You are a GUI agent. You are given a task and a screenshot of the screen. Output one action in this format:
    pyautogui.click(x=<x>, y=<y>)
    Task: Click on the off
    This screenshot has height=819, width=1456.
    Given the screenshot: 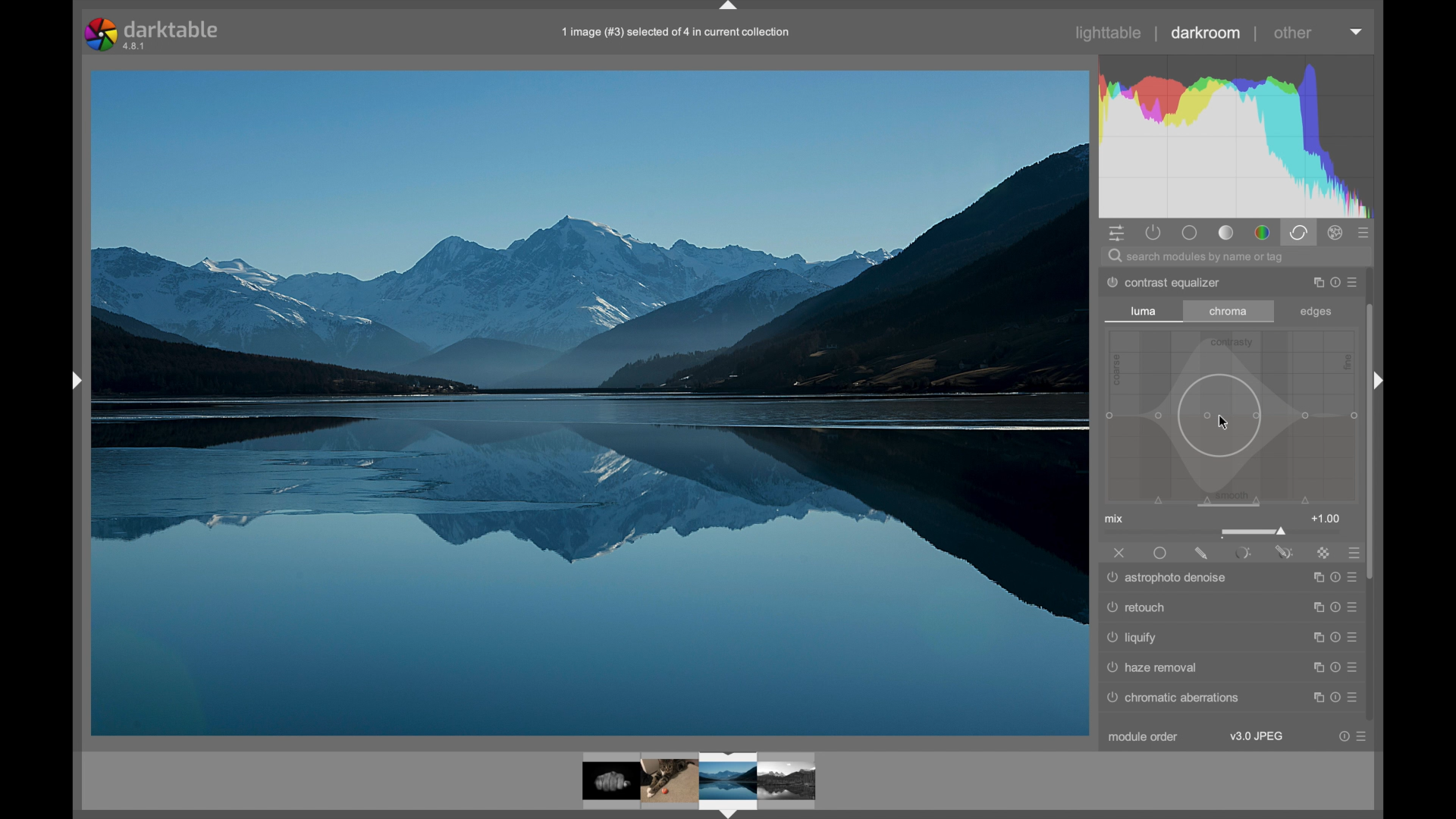 What is the action you would take?
    pyautogui.click(x=1119, y=553)
    